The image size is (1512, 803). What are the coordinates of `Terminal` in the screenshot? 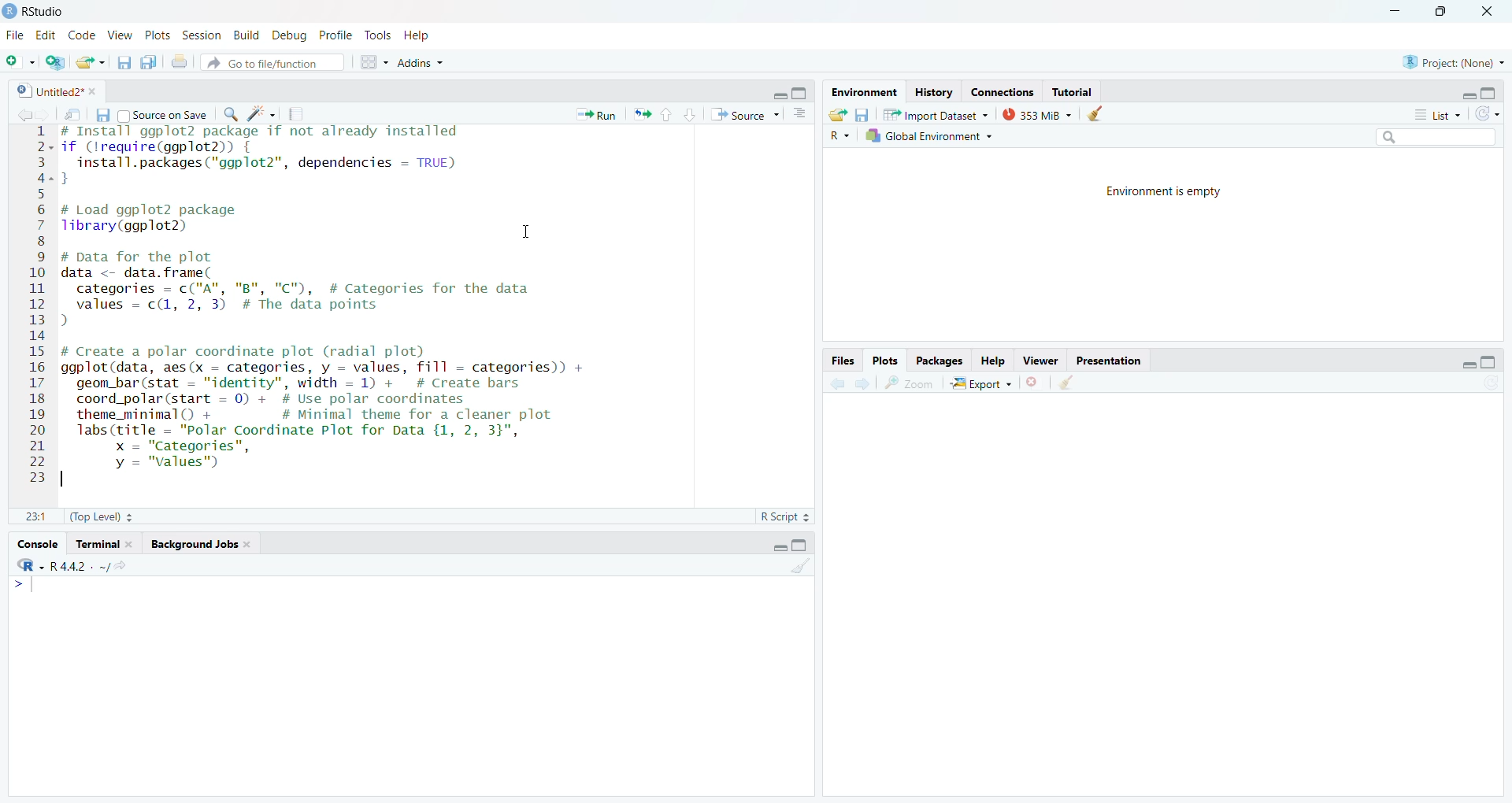 It's located at (103, 546).